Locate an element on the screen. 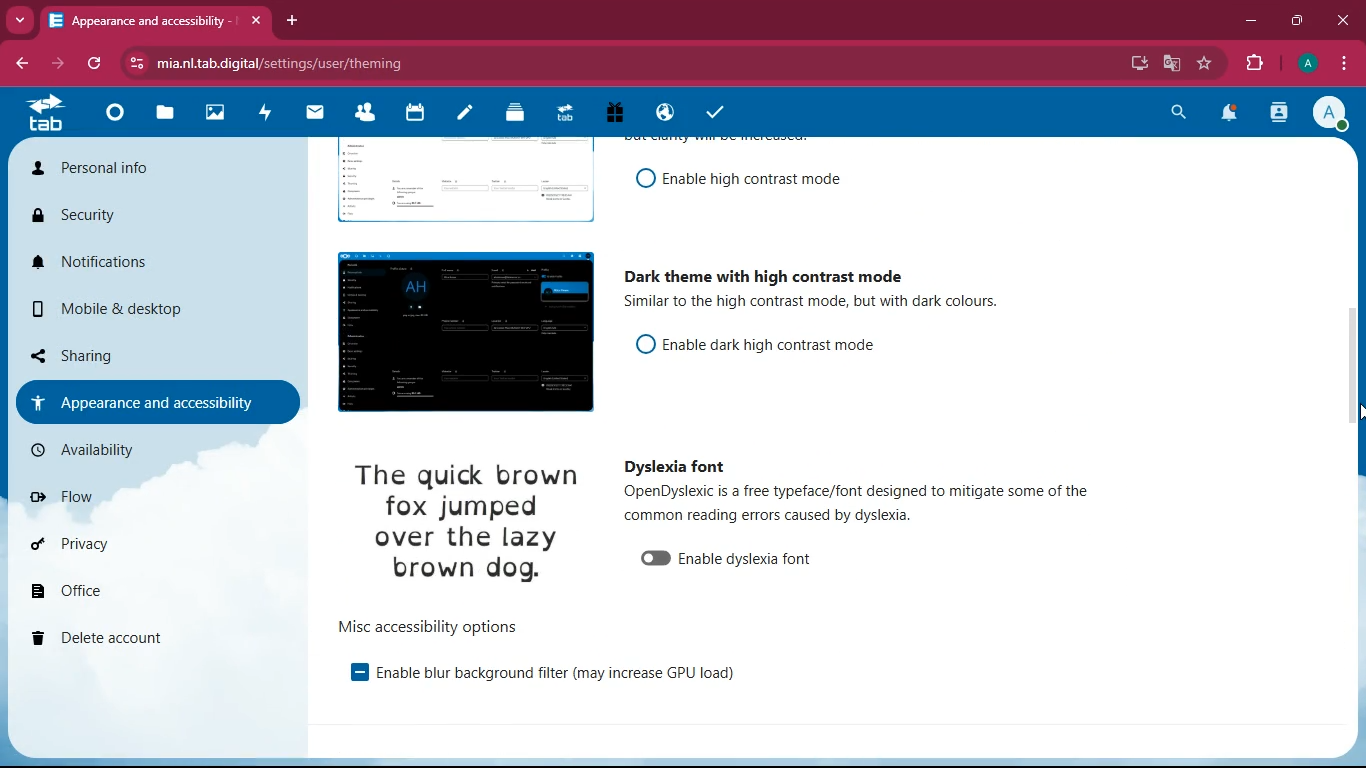 The height and width of the screenshot is (768, 1366). calendar is located at coordinates (419, 114).